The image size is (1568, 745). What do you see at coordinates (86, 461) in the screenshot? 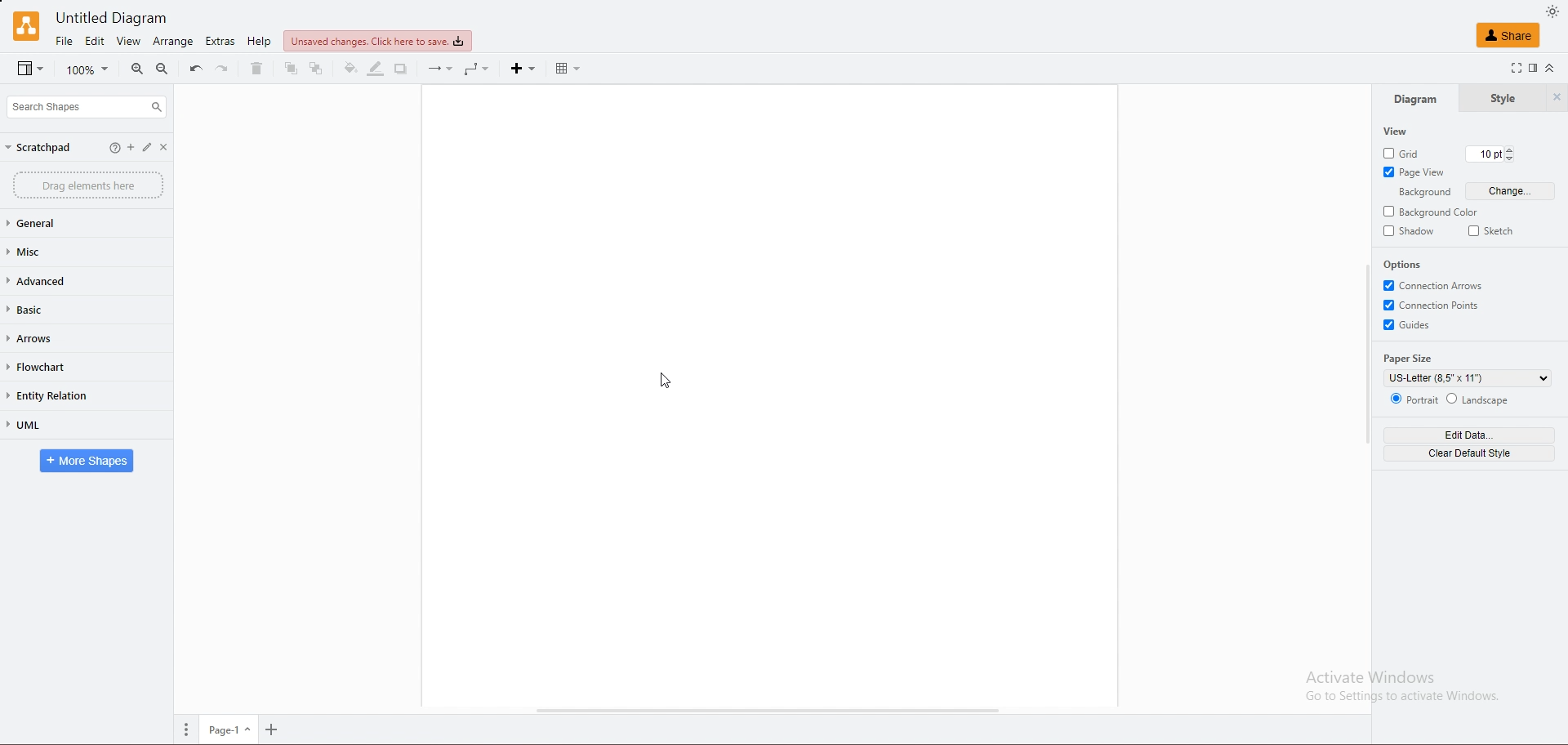
I see `more shapes` at bounding box center [86, 461].